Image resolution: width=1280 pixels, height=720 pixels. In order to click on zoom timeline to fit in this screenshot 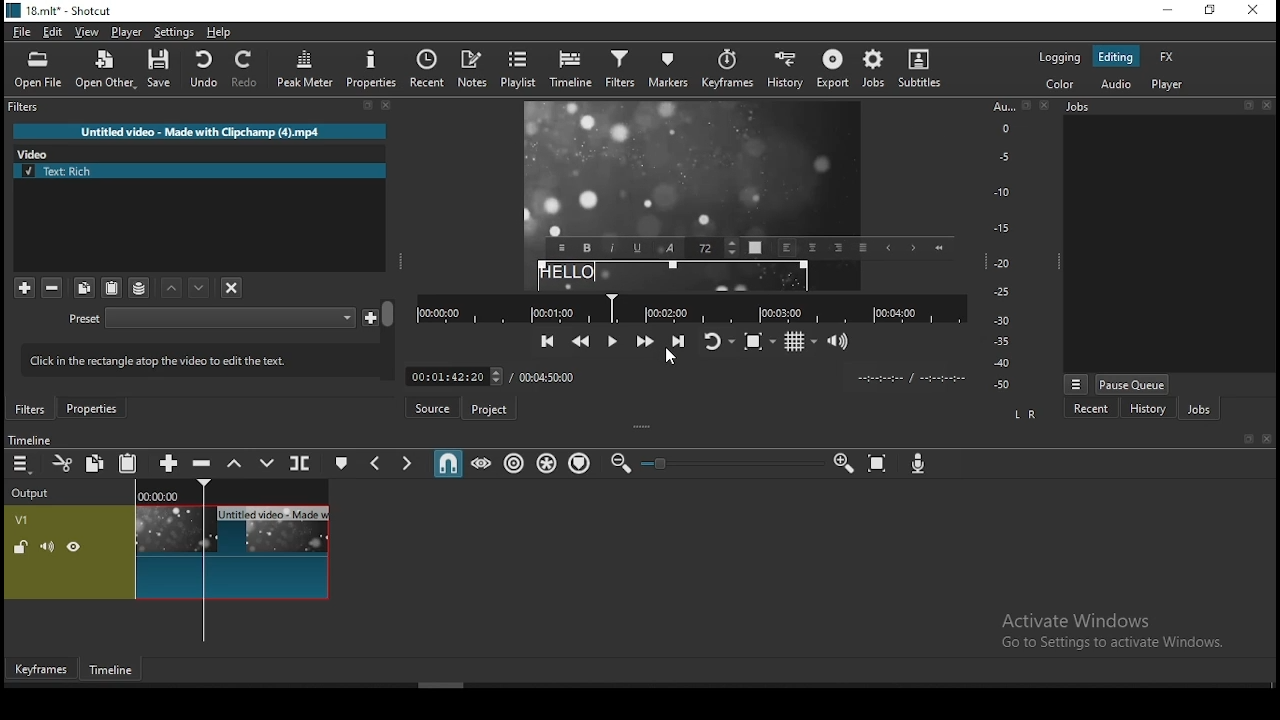, I will do `click(878, 463)`.